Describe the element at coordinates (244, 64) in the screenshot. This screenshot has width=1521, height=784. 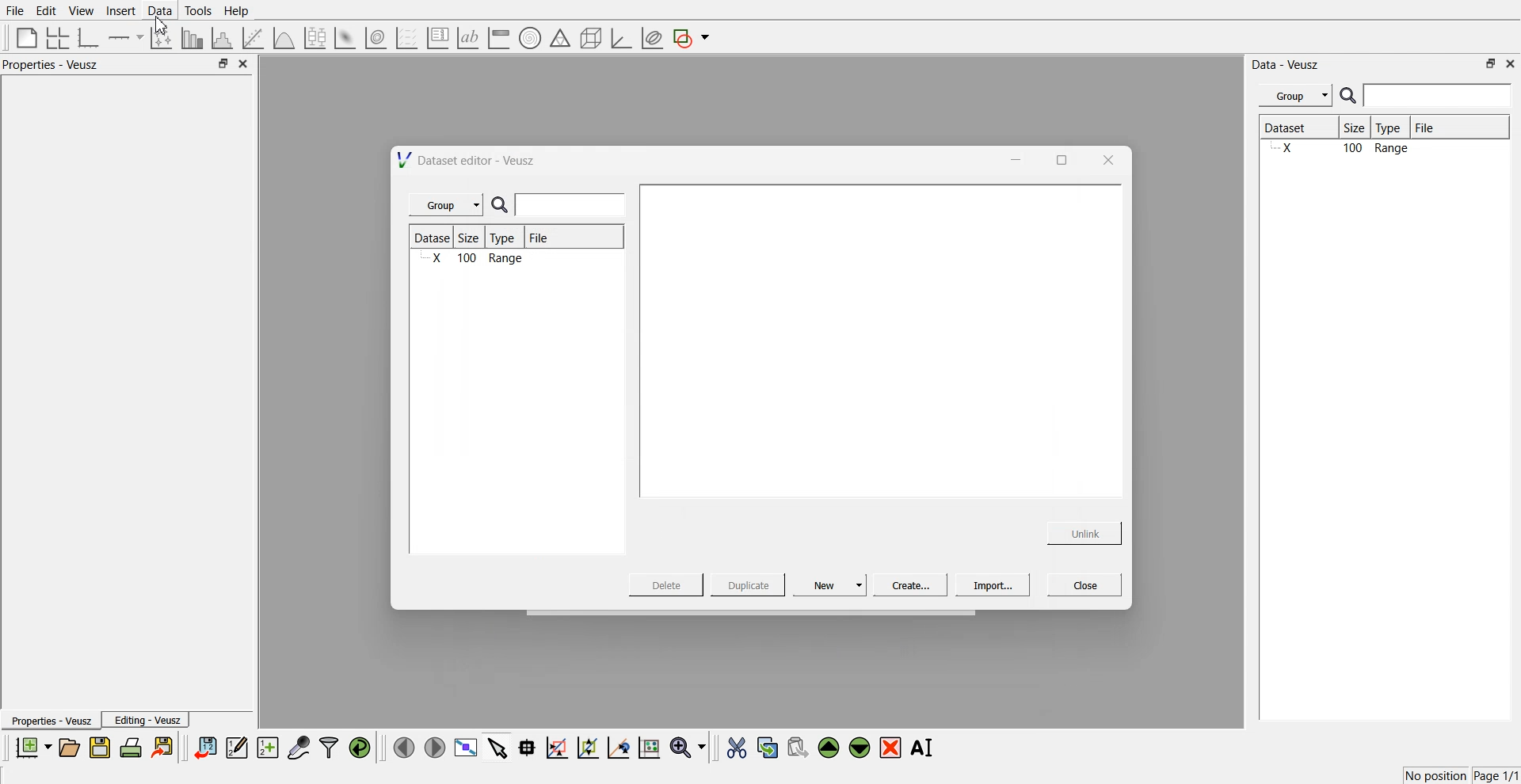
I see `close` at that location.